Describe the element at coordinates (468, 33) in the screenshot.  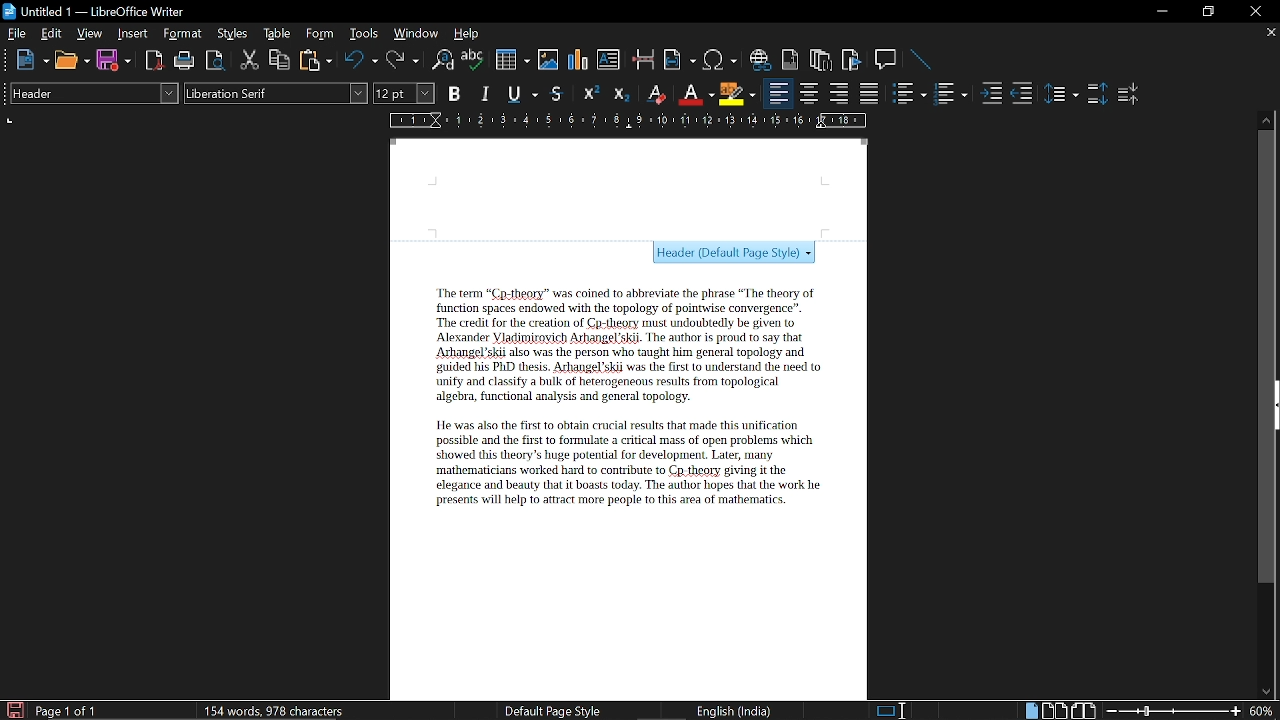
I see `HElp` at that location.